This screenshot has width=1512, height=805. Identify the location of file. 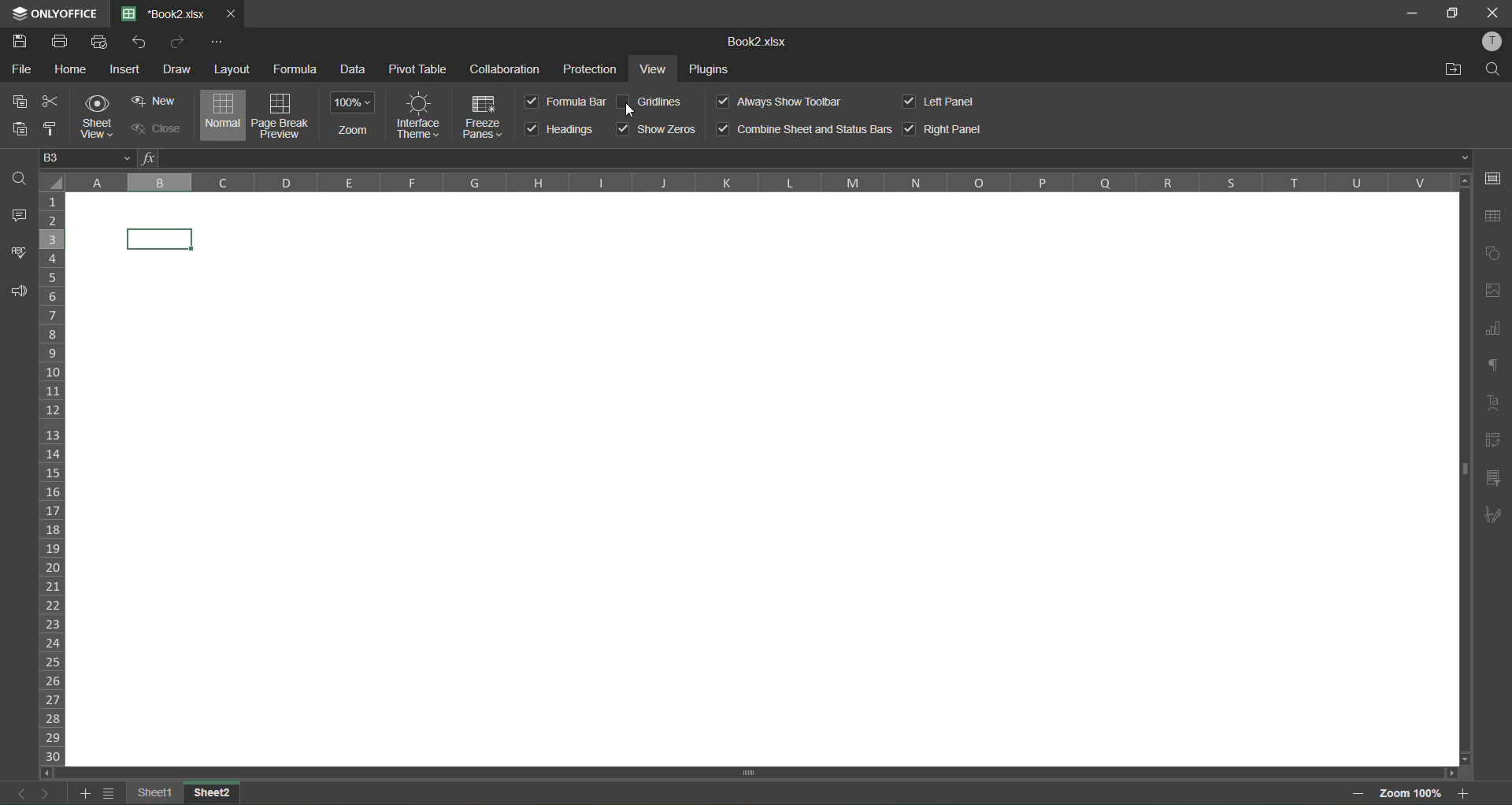
(25, 70).